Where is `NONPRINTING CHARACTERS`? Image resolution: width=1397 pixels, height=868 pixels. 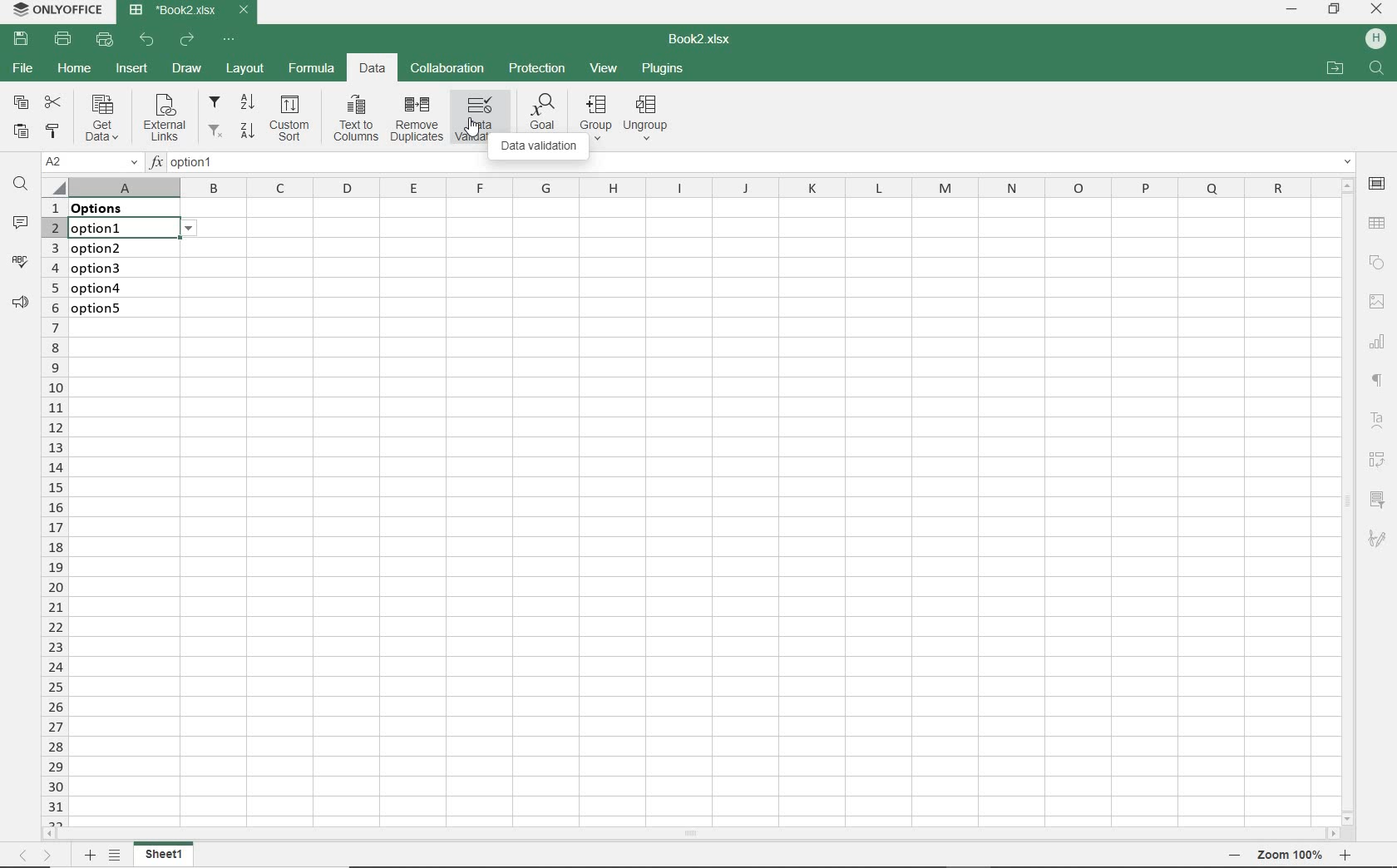 NONPRINTING CHARACTERS is located at coordinates (1380, 382).